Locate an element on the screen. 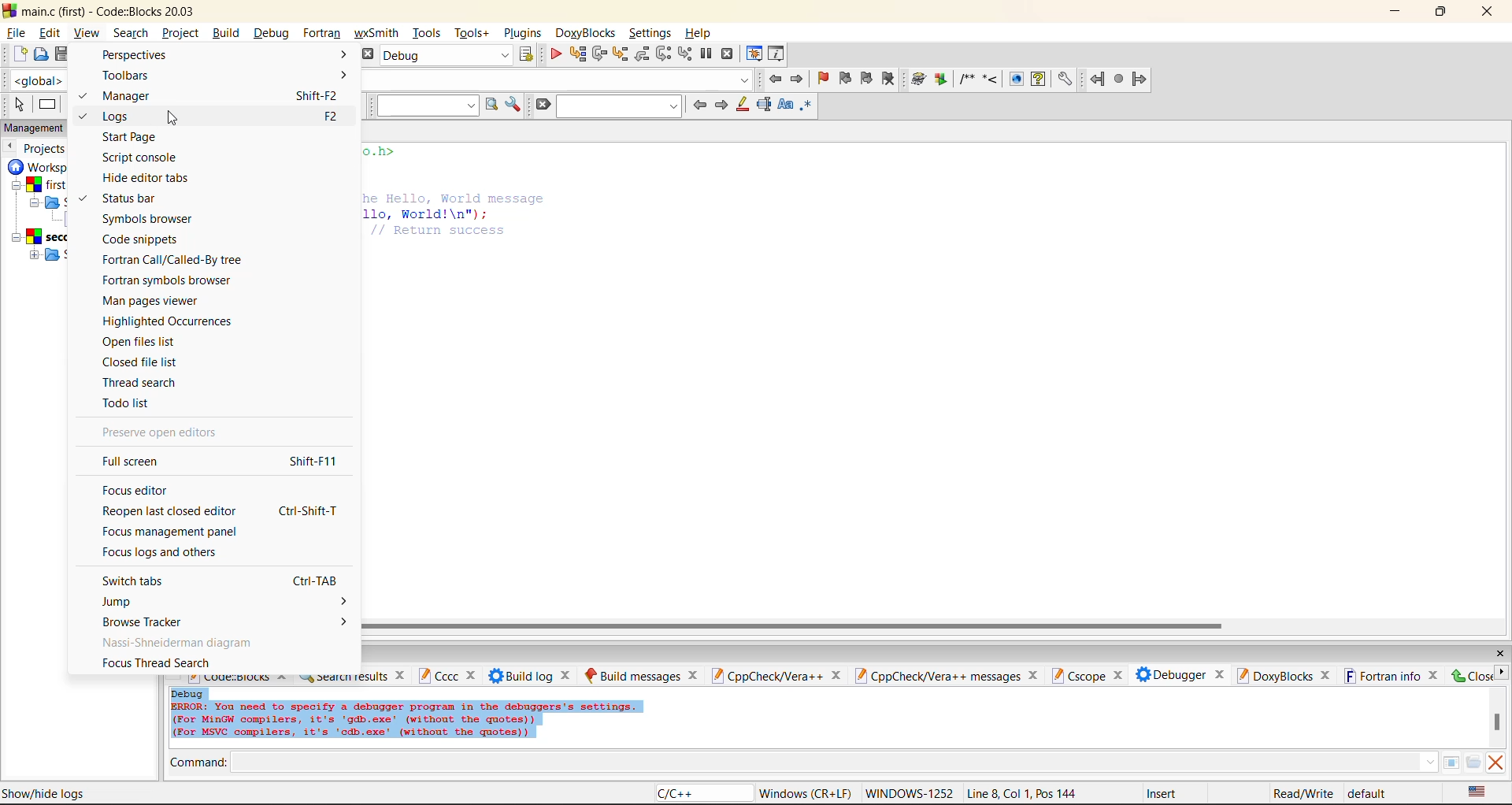  cursor is located at coordinates (173, 118).